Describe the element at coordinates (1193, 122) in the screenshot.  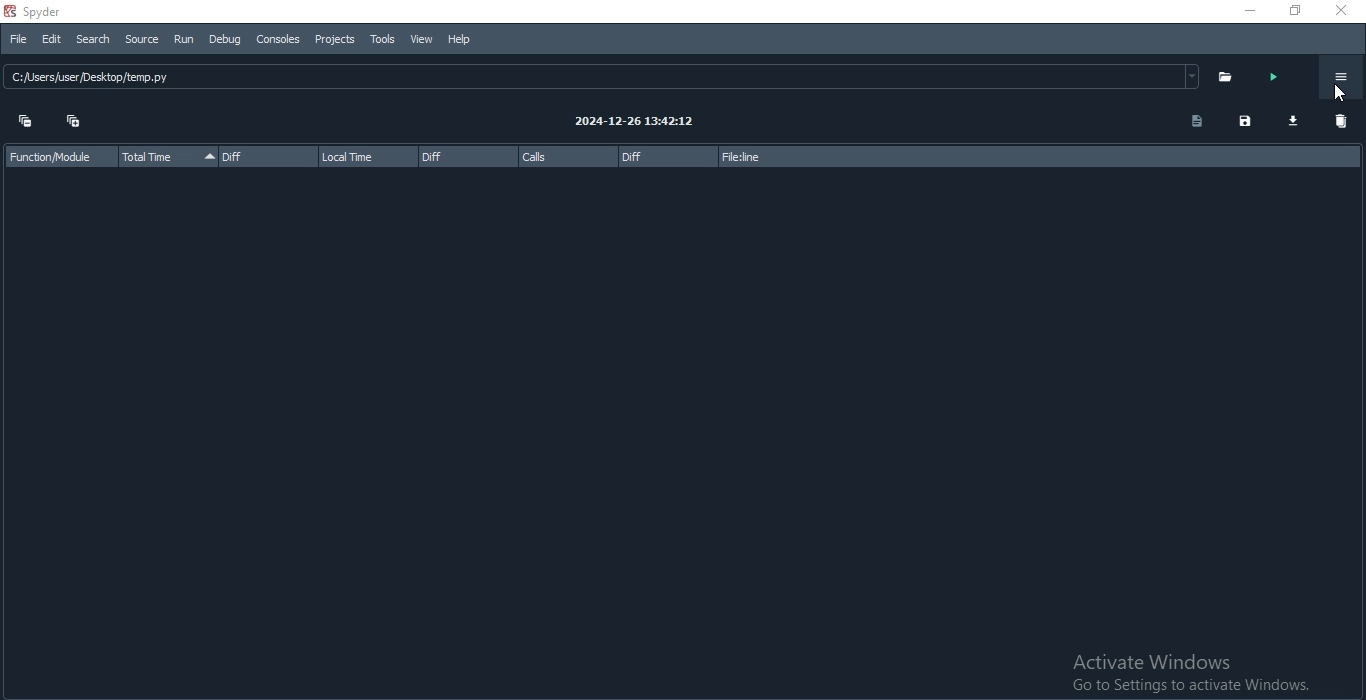
I see `document` at that location.